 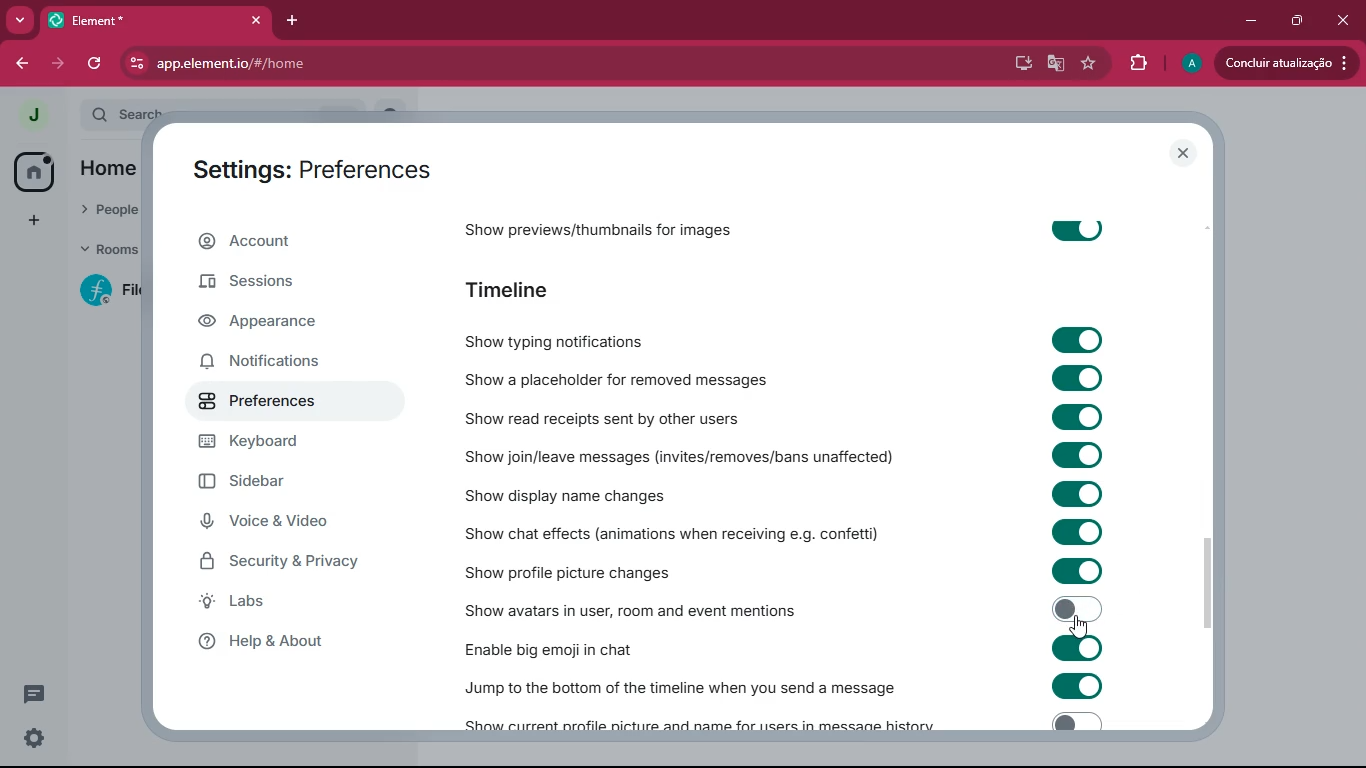 I want to click on more, so click(x=19, y=20).